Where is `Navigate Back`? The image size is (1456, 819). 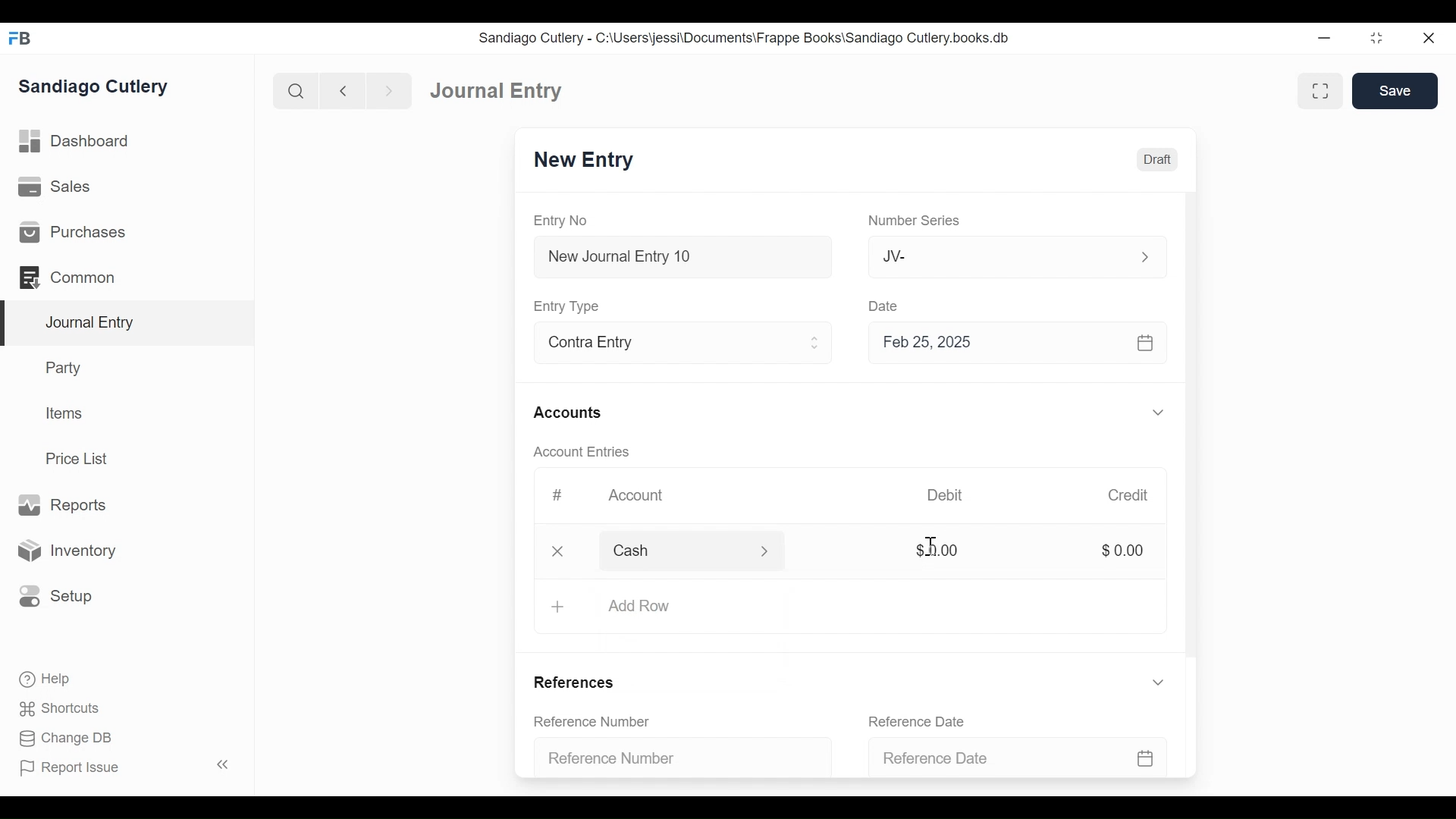 Navigate Back is located at coordinates (344, 91).